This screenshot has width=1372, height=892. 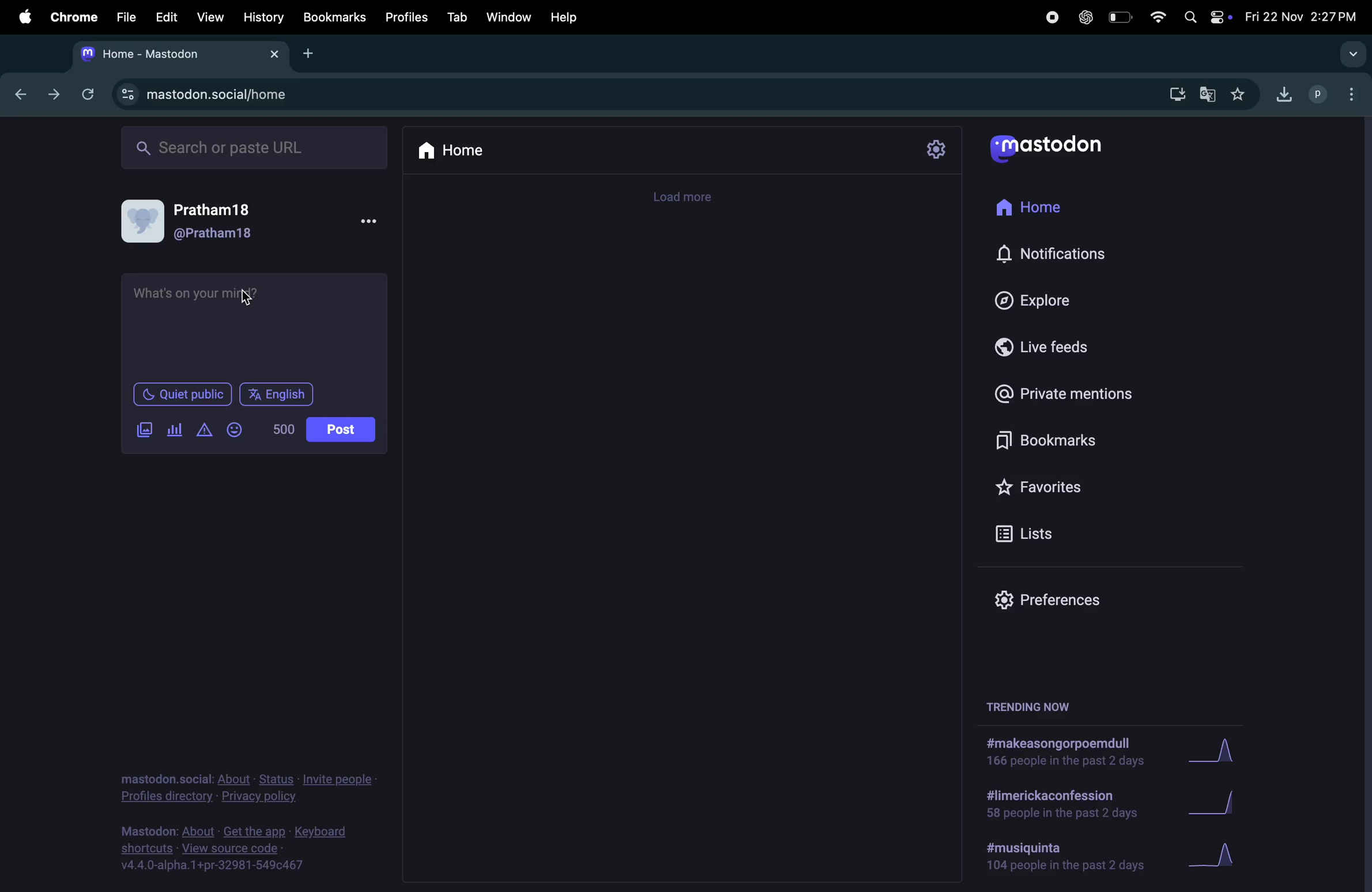 I want to click on options, so click(x=1349, y=92).